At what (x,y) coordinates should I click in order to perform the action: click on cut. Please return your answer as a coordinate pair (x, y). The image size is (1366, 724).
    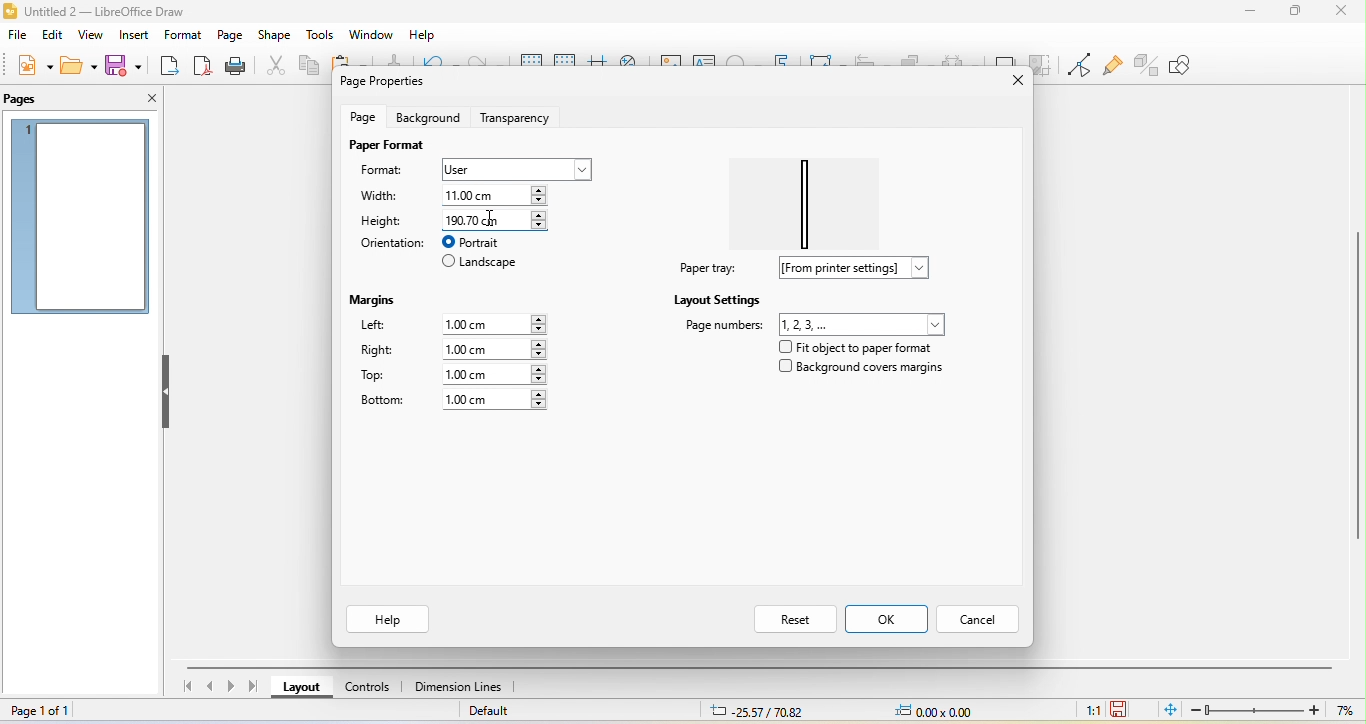
    Looking at the image, I should click on (272, 65).